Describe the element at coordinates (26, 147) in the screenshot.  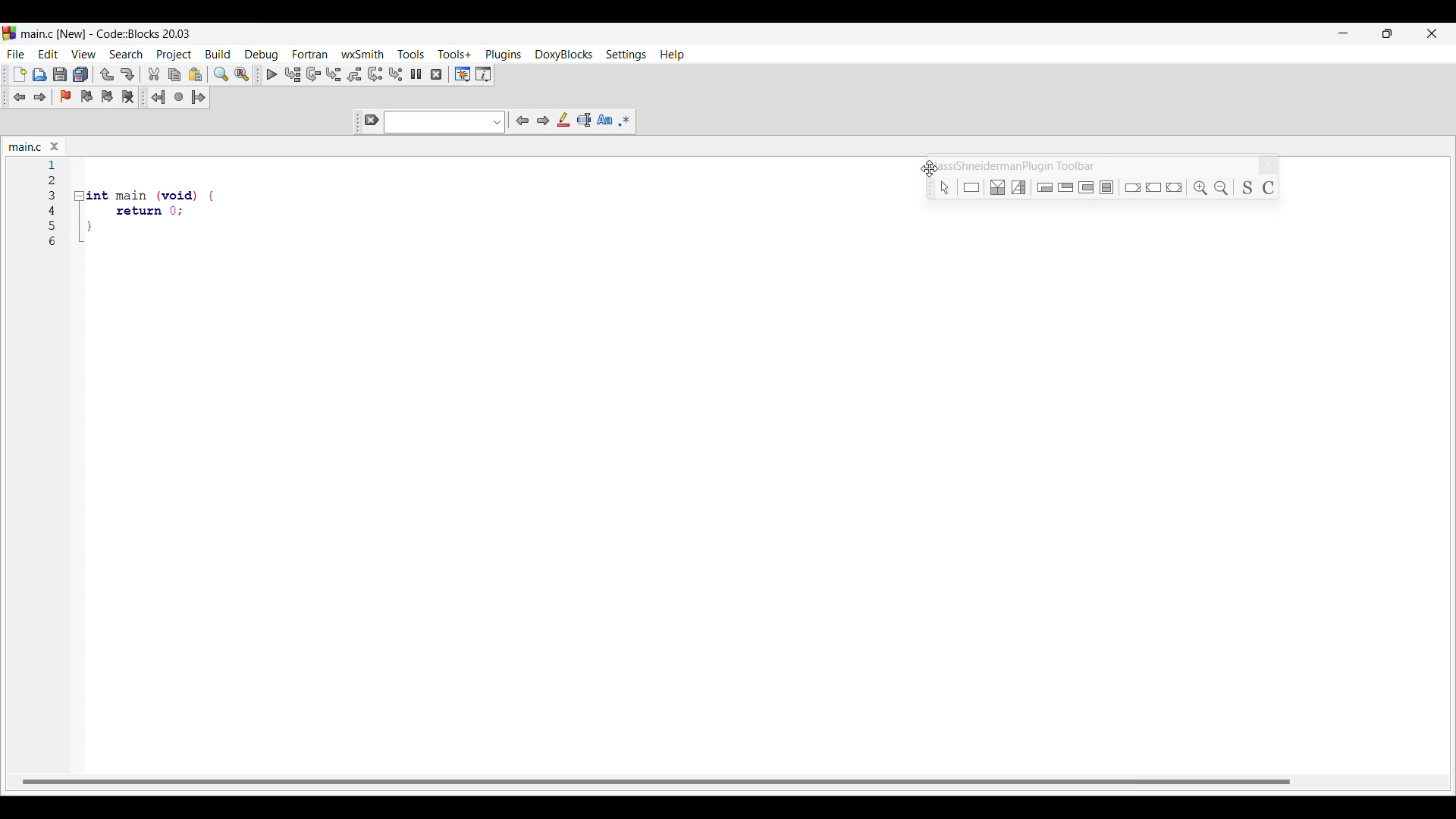
I see `Current tab` at that location.